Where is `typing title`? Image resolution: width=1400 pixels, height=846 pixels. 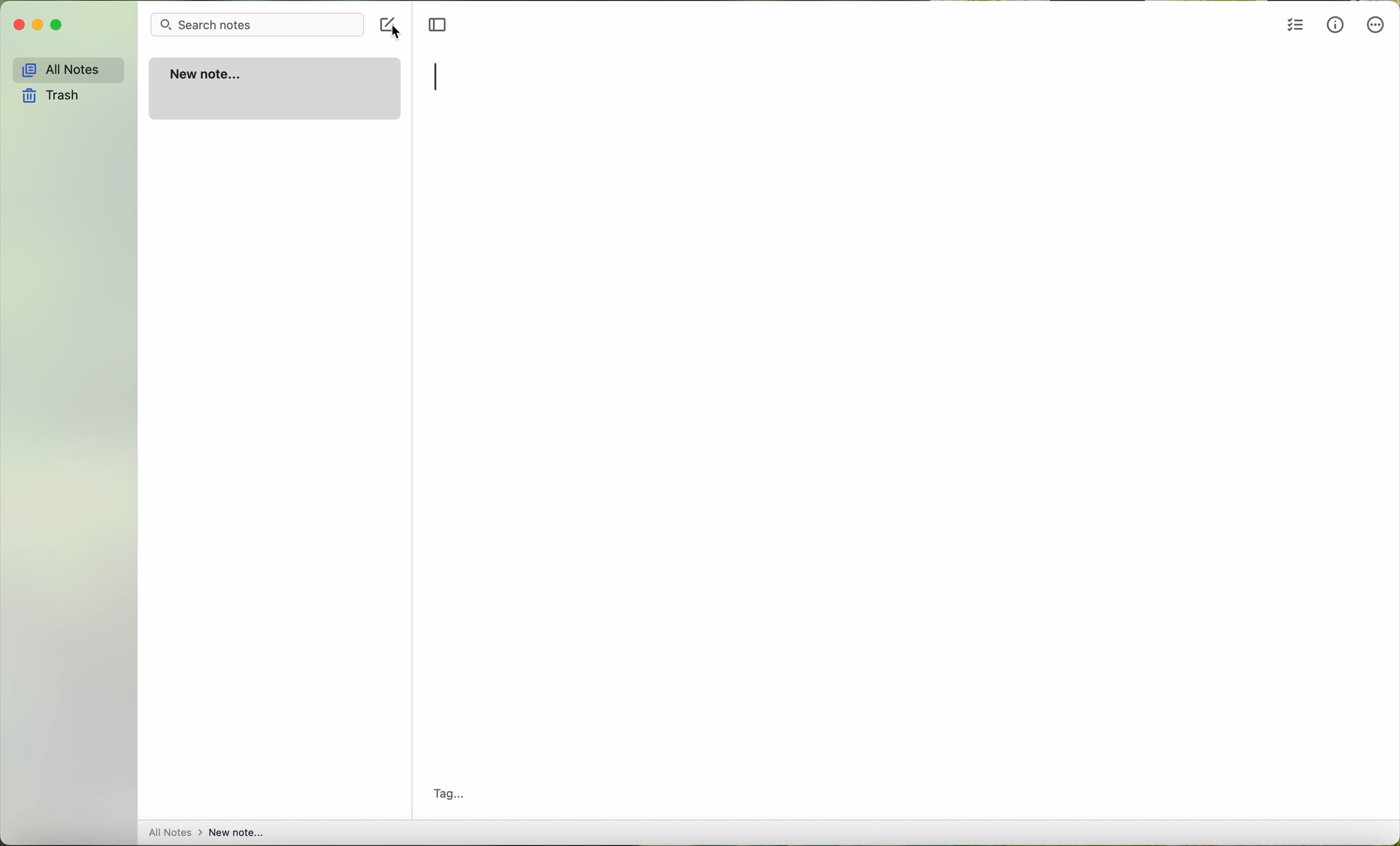 typing title is located at coordinates (447, 77).